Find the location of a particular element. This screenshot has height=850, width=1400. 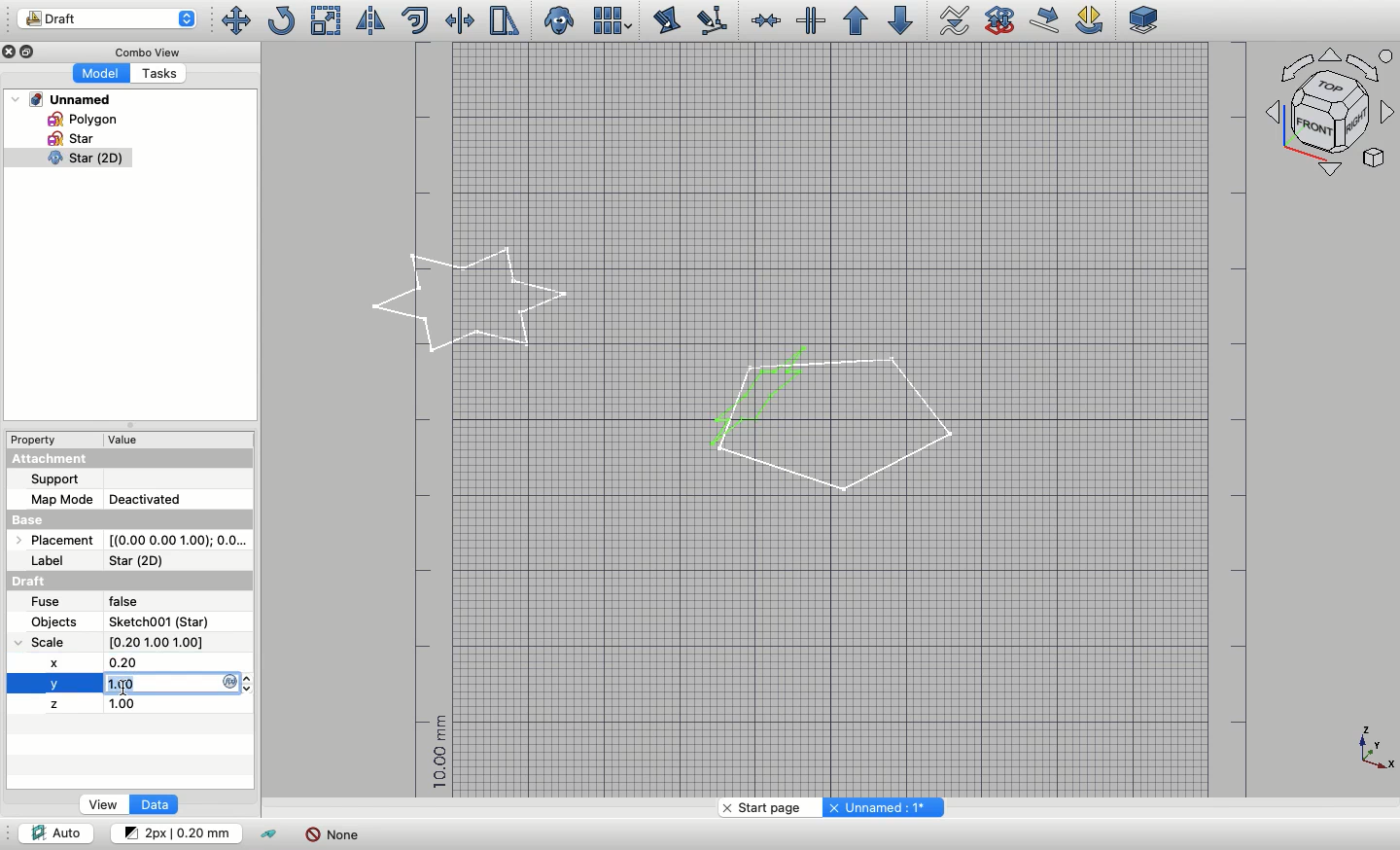

Model is located at coordinates (99, 74).